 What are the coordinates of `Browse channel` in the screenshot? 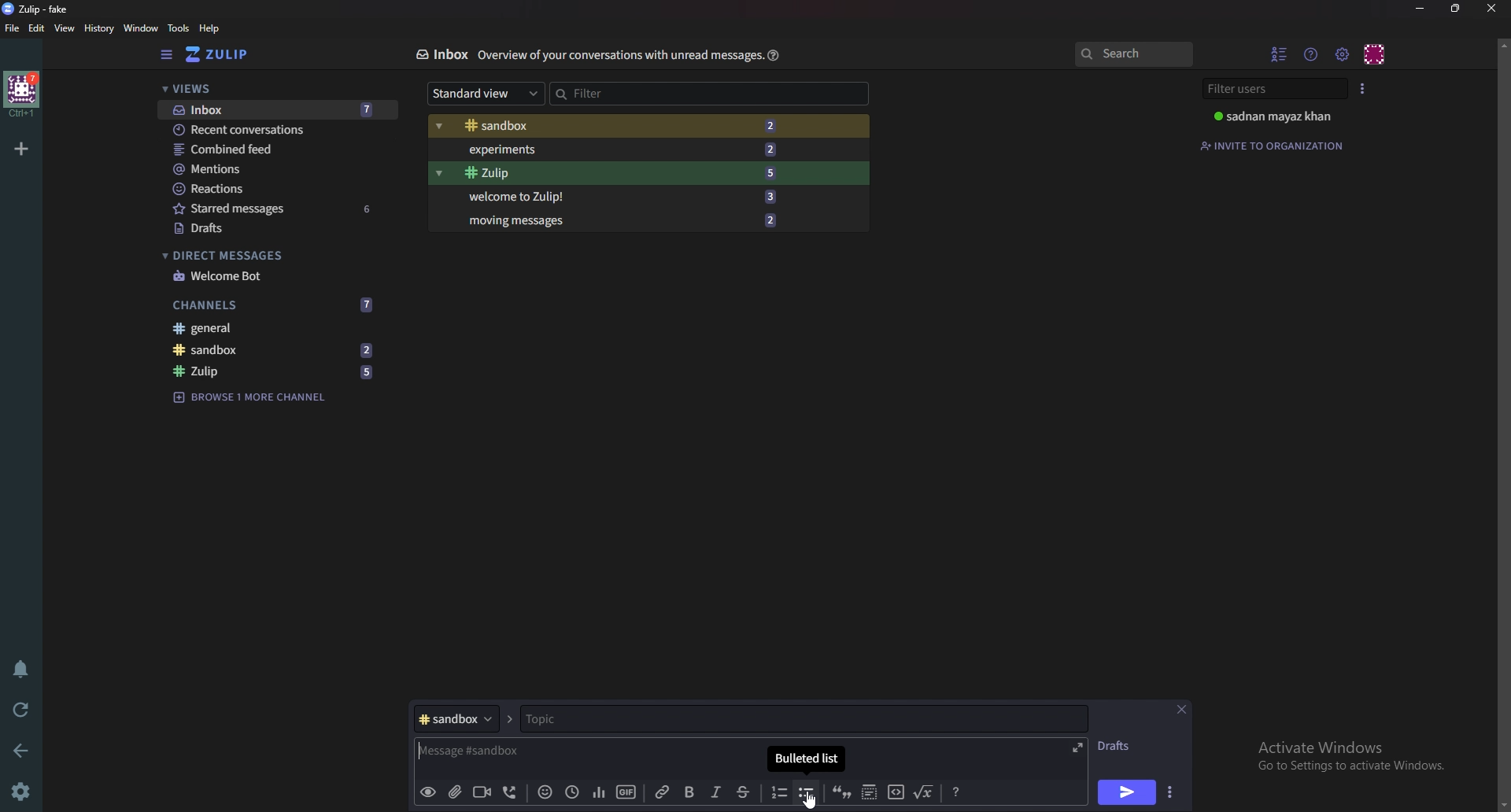 It's located at (250, 396).